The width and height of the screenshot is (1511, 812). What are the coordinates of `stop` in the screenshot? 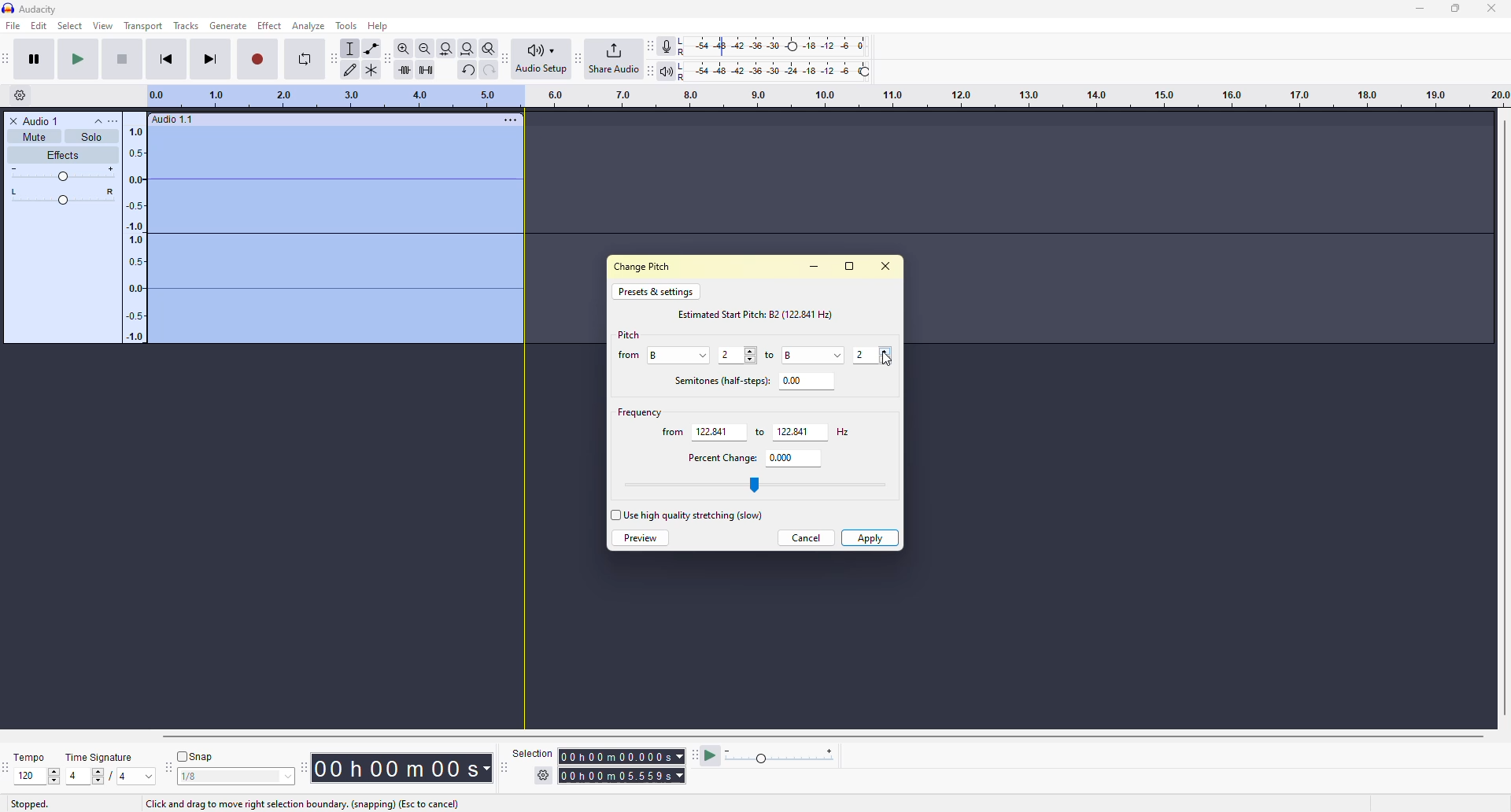 It's located at (120, 59).